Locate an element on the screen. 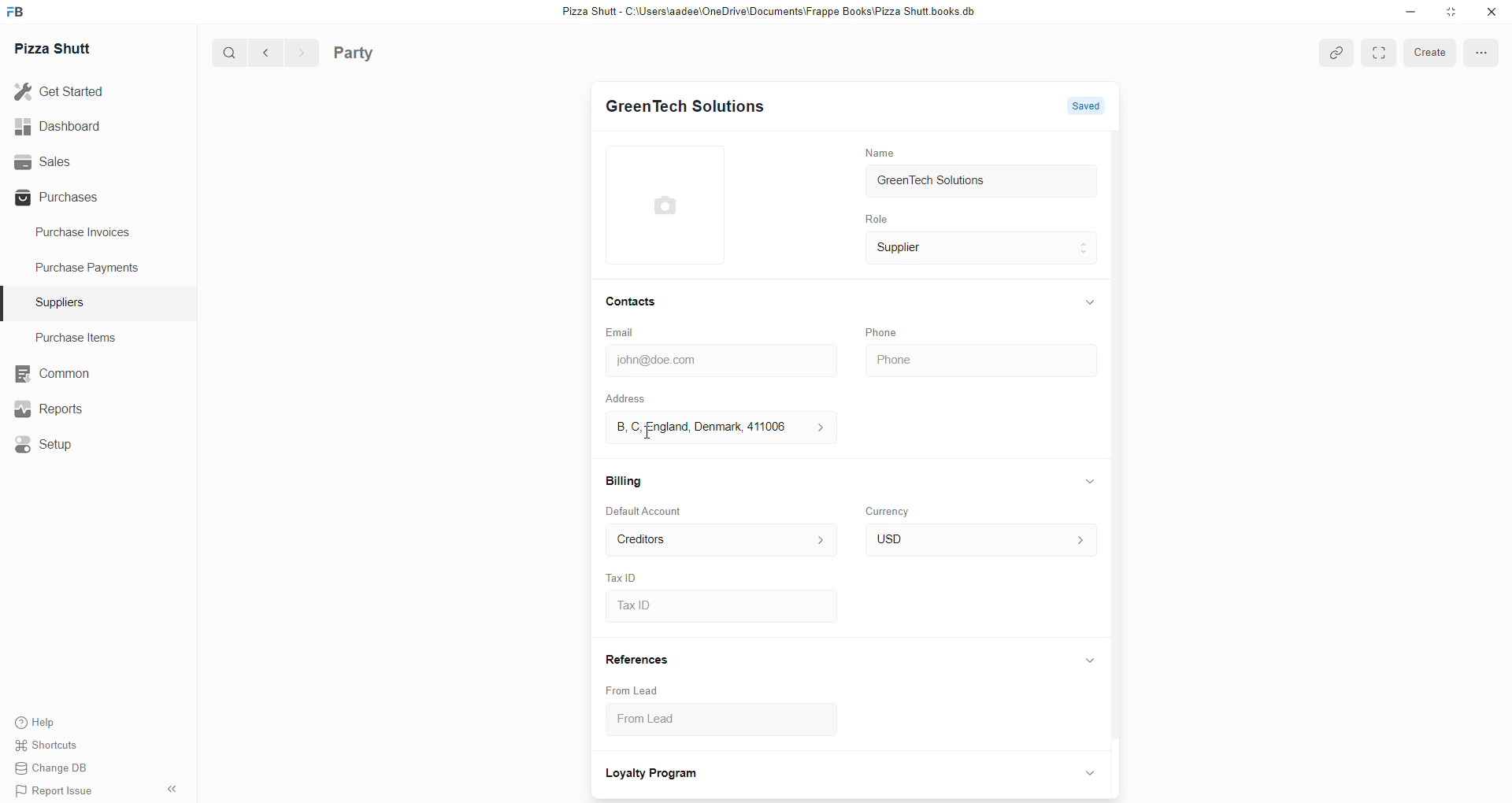 This screenshot has height=803, width=1512. Supplier is located at coordinates (982, 250).